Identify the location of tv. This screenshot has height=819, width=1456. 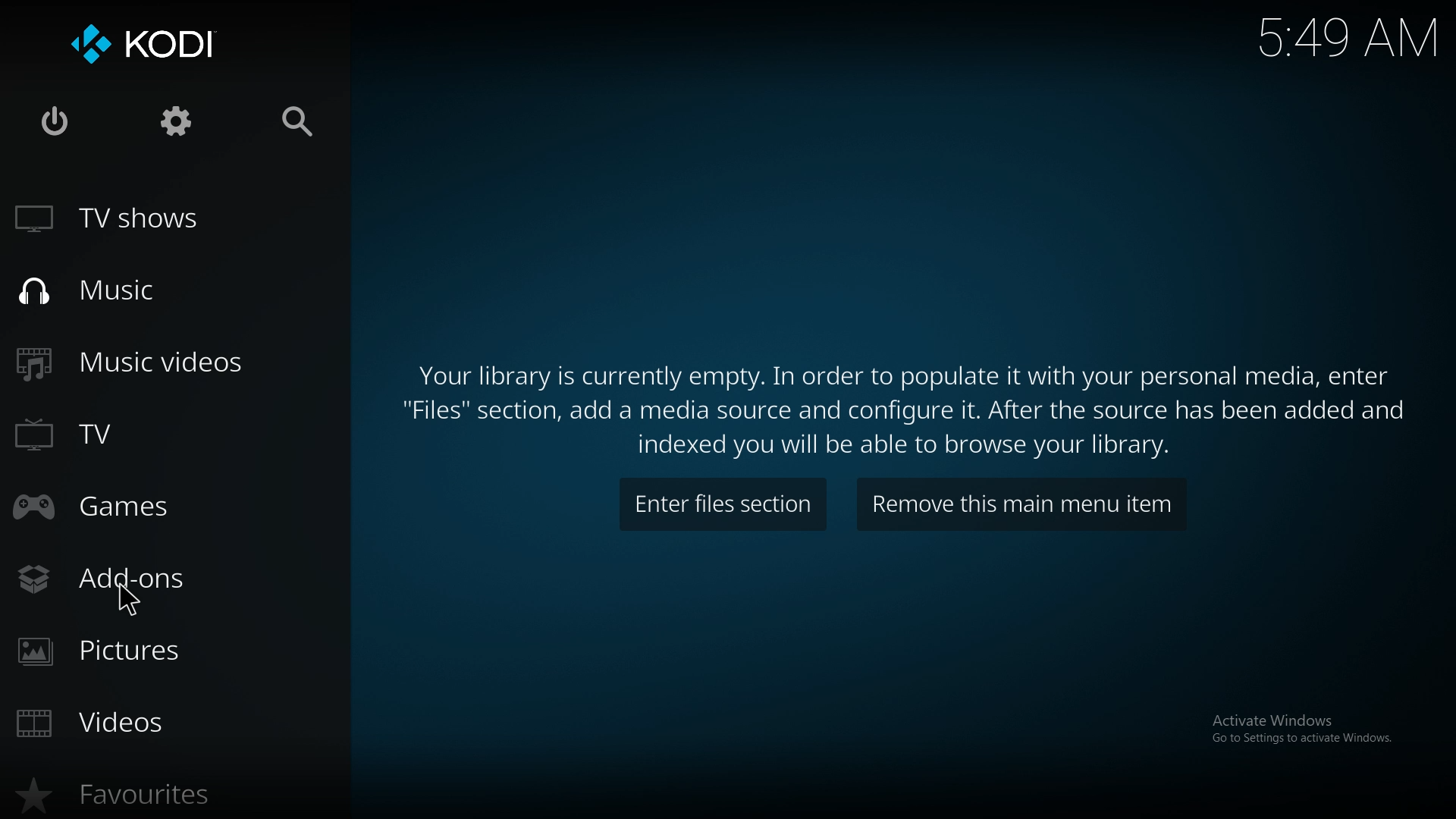
(105, 436).